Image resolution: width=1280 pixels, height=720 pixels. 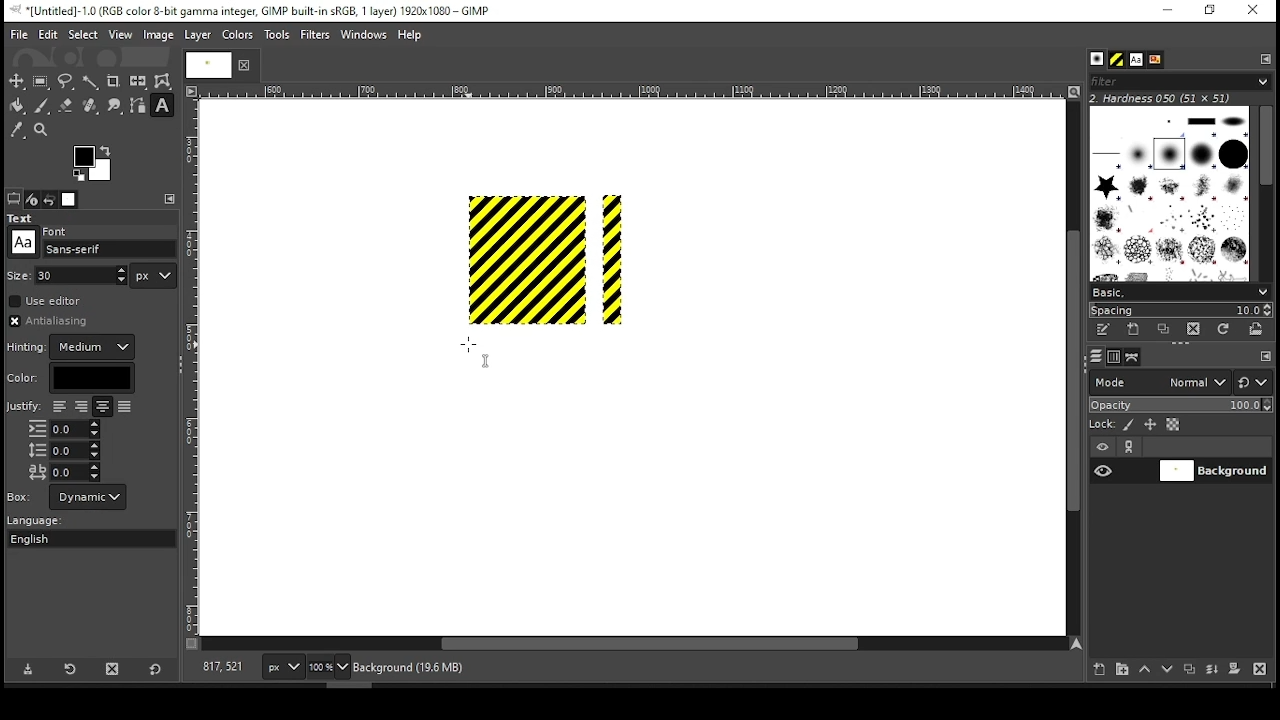 I want to click on edit, so click(x=48, y=34).